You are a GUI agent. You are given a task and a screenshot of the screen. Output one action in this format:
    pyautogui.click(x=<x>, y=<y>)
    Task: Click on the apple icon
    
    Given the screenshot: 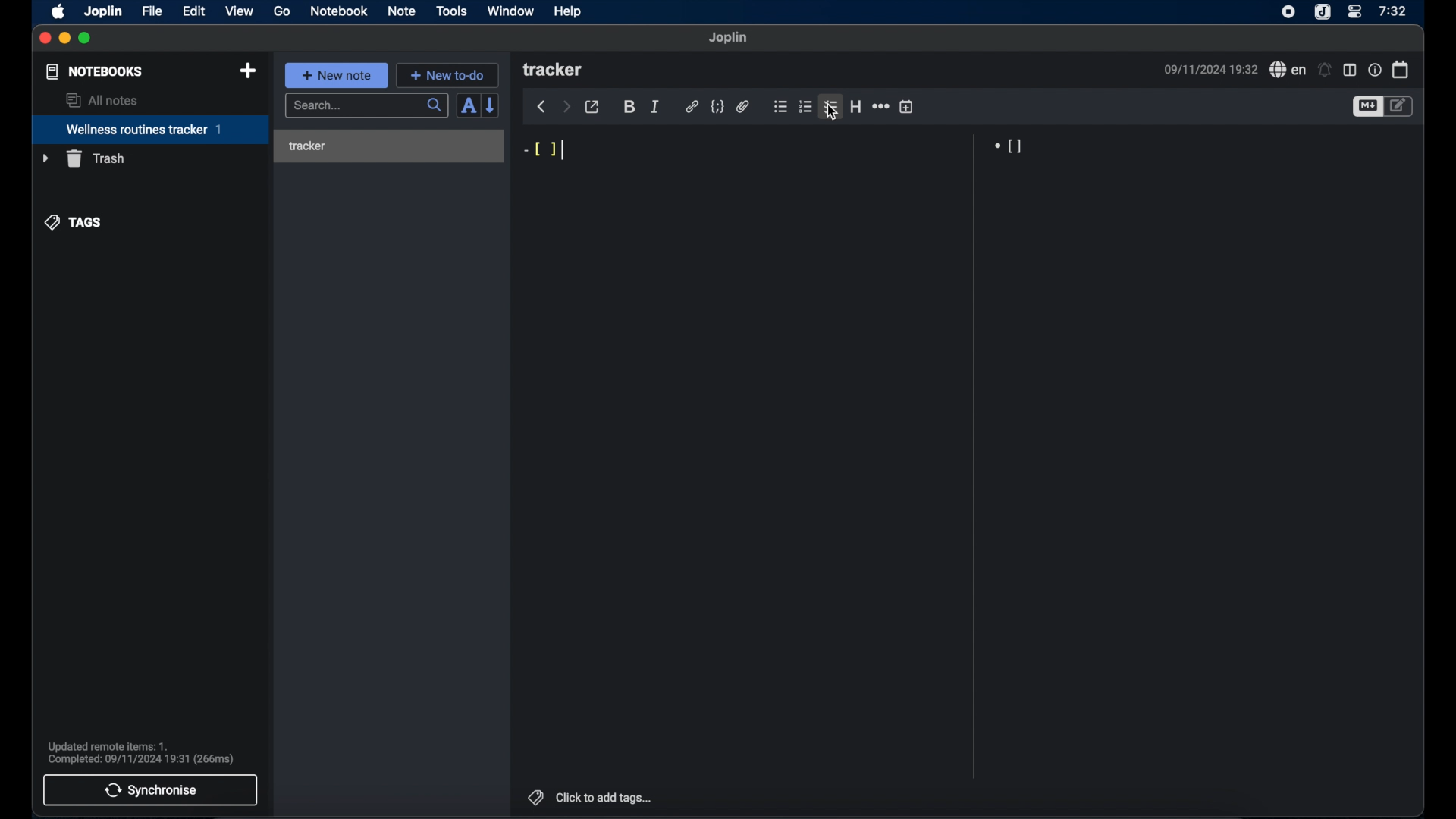 What is the action you would take?
    pyautogui.click(x=59, y=12)
    